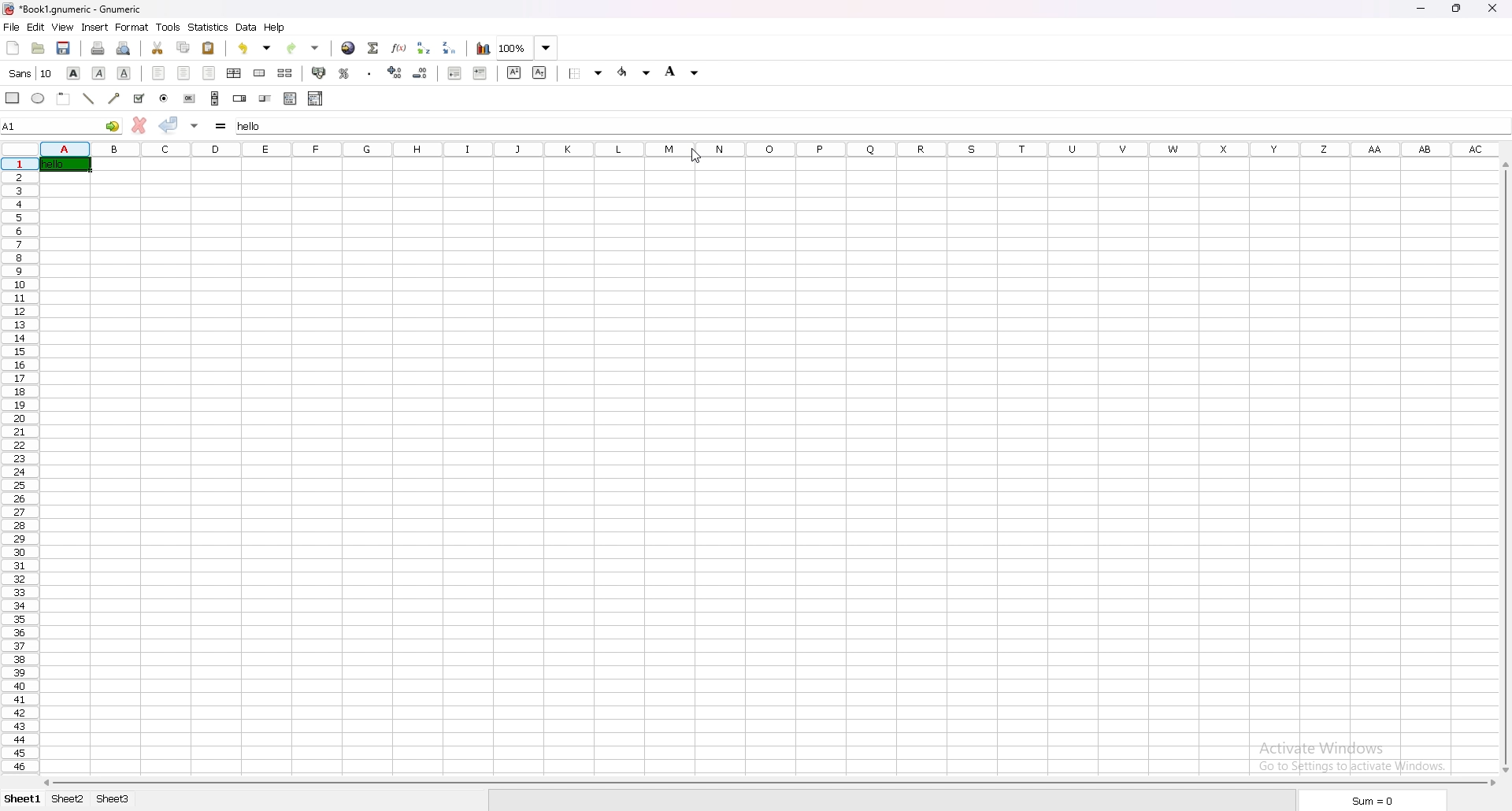 This screenshot has height=811, width=1512. Describe the element at coordinates (400, 48) in the screenshot. I see `function` at that location.